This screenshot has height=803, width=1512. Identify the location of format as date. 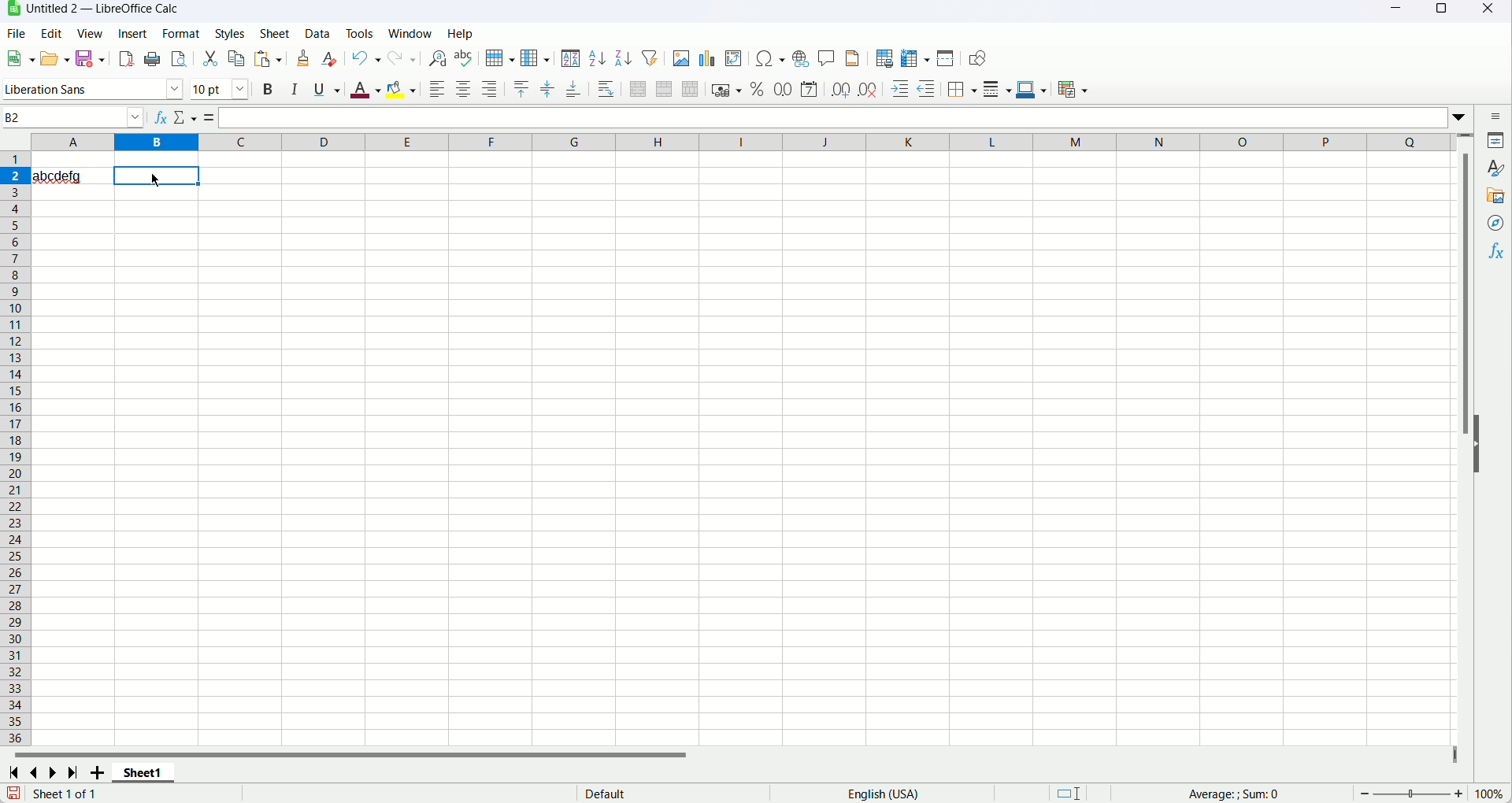
(808, 90).